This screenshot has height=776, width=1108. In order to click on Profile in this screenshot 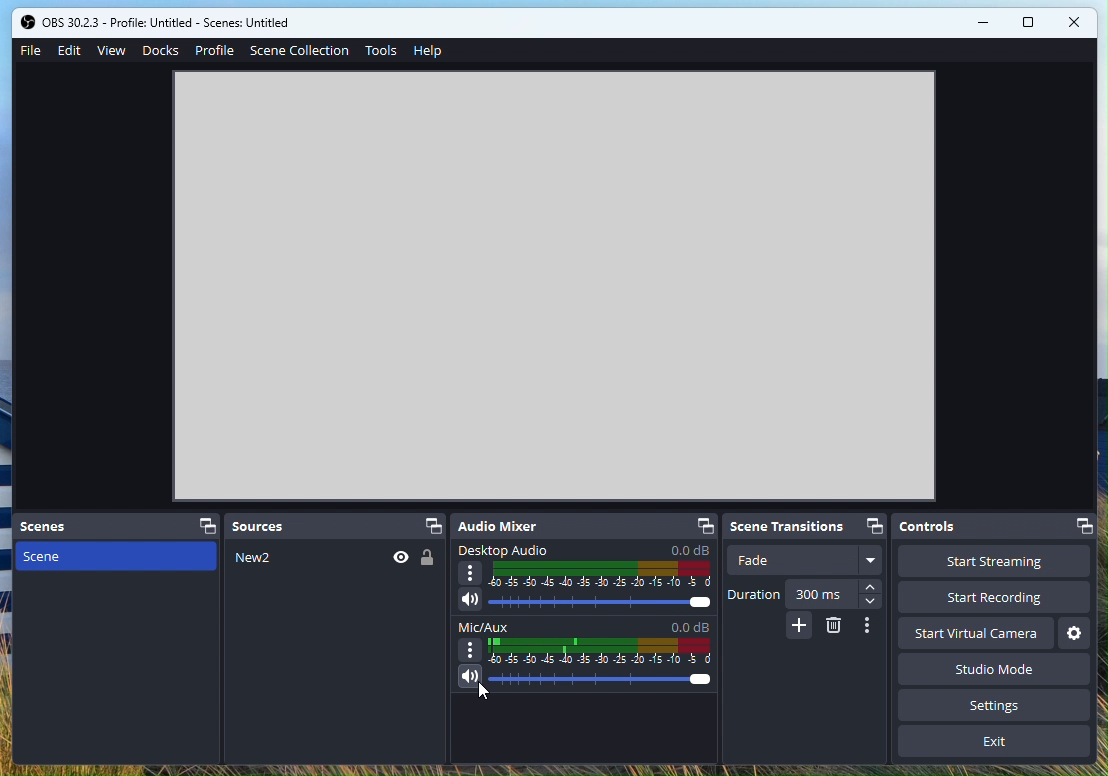, I will do `click(217, 49)`.